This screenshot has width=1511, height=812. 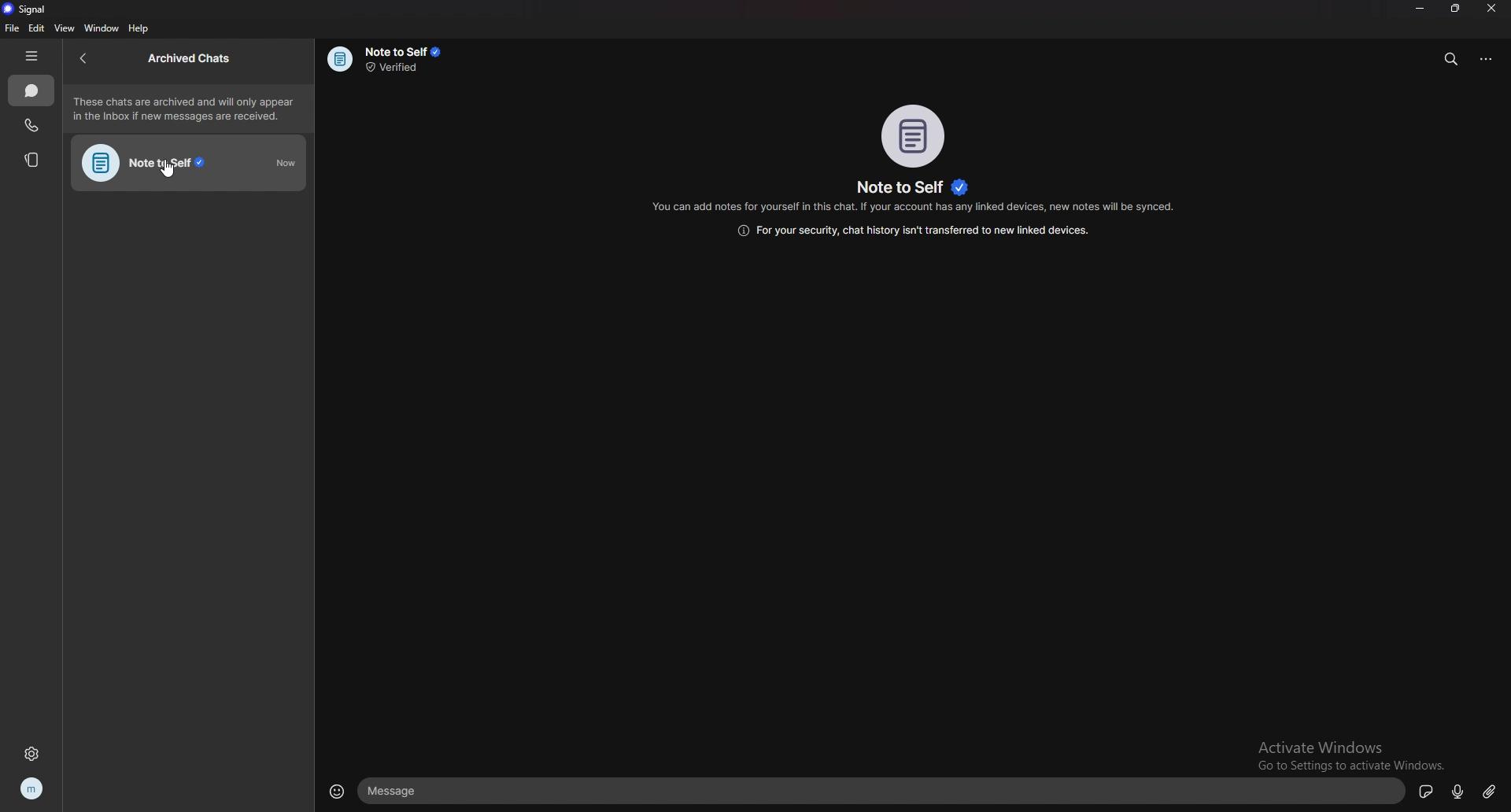 What do you see at coordinates (1420, 7) in the screenshot?
I see `minimize` at bounding box center [1420, 7].